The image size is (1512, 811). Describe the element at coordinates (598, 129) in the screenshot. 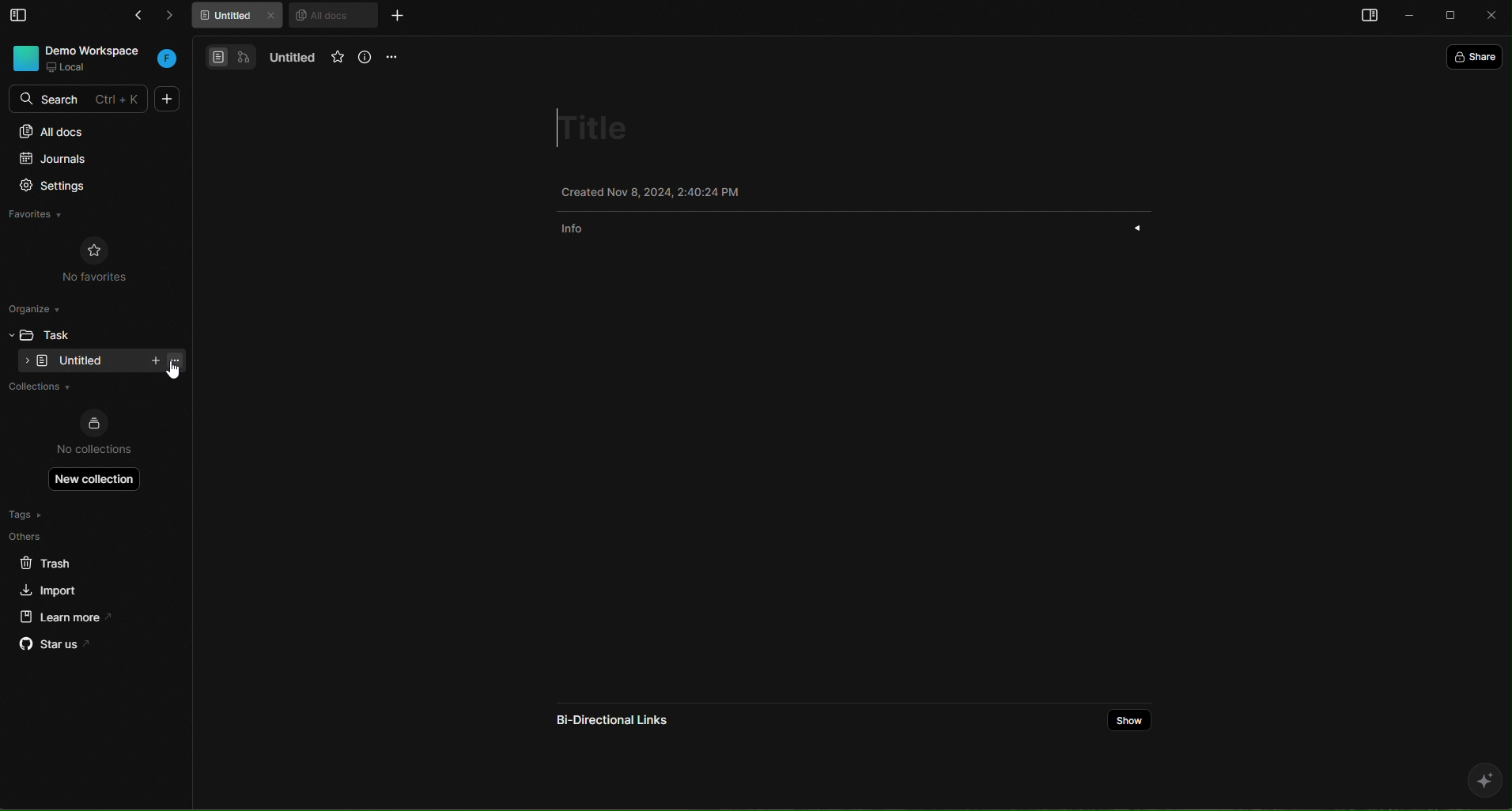

I see `title` at that location.